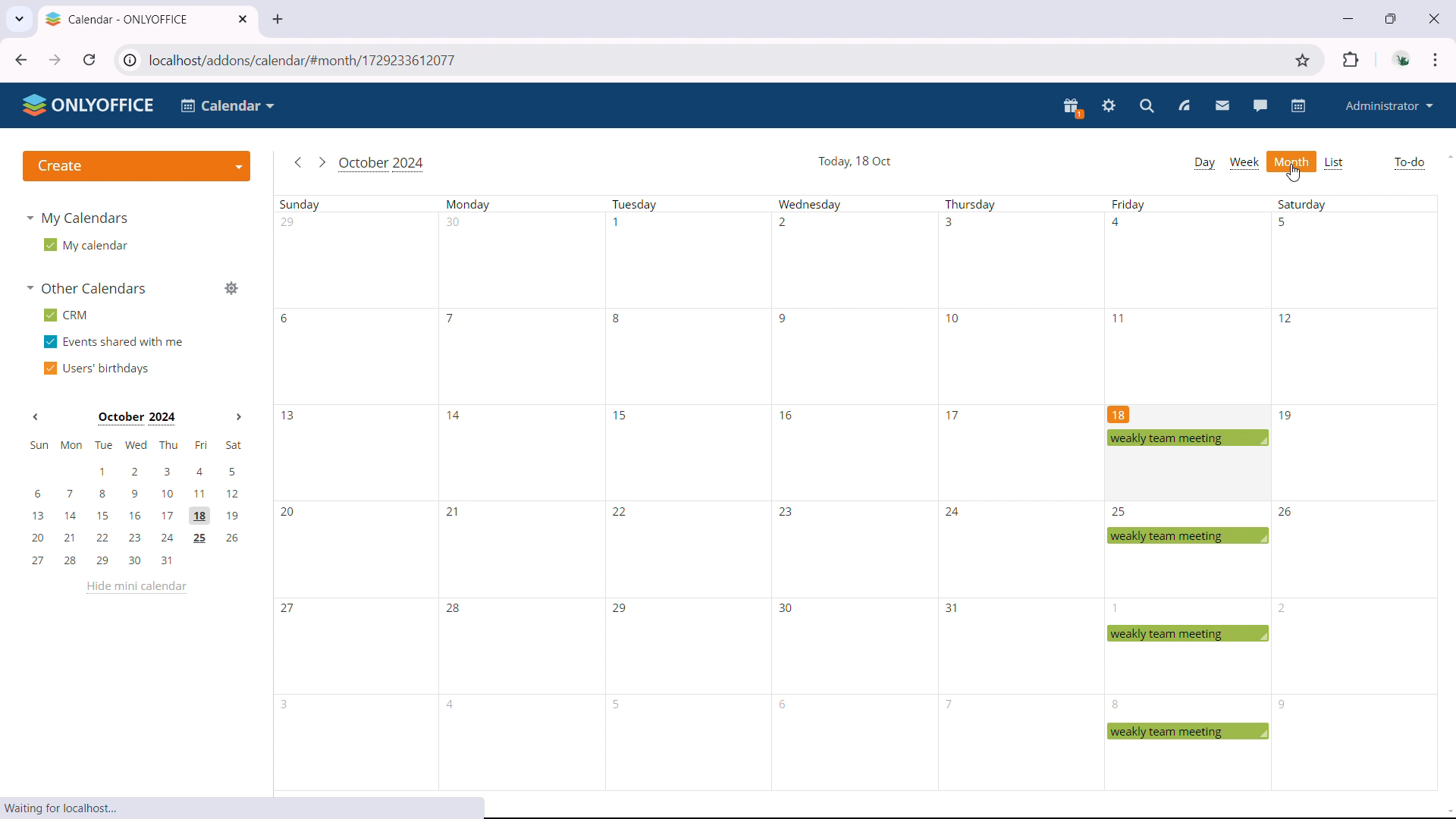 The width and height of the screenshot is (1456, 819). What do you see at coordinates (1447, 155) in the screenshot?
I see `scroll up in page` at bounding box center [1447, 155].